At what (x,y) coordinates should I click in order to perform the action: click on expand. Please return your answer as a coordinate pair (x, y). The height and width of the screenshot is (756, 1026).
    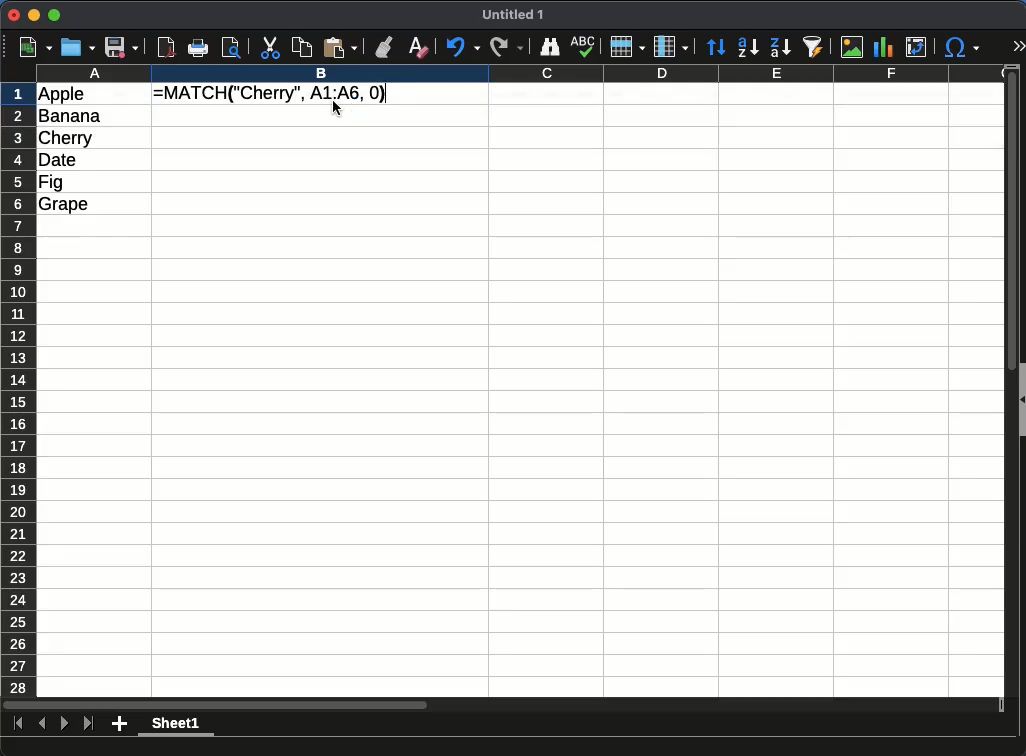
    Looking at the image, I should click on (1019, 46).